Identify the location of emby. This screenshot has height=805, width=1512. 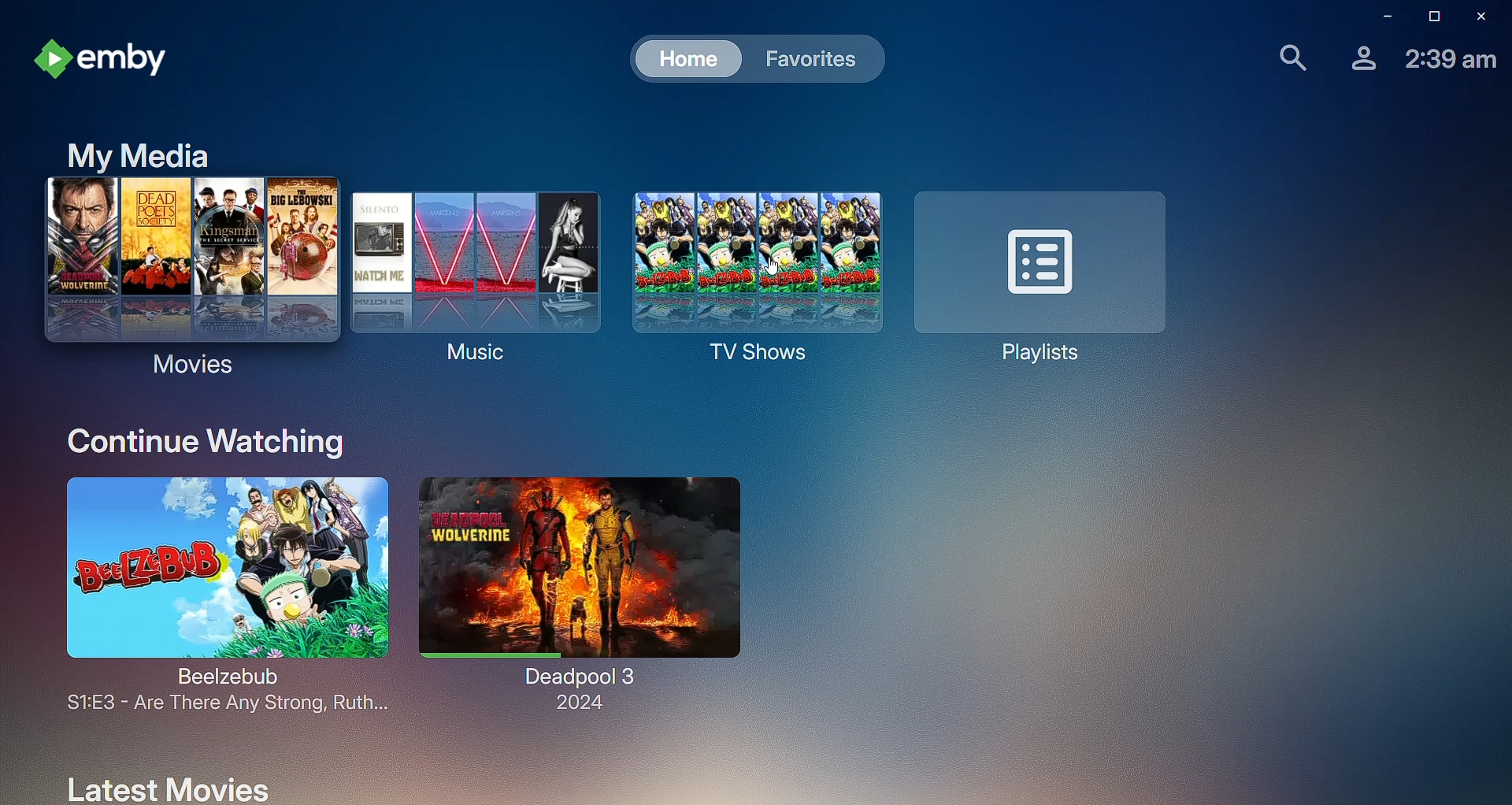
(108, 58).